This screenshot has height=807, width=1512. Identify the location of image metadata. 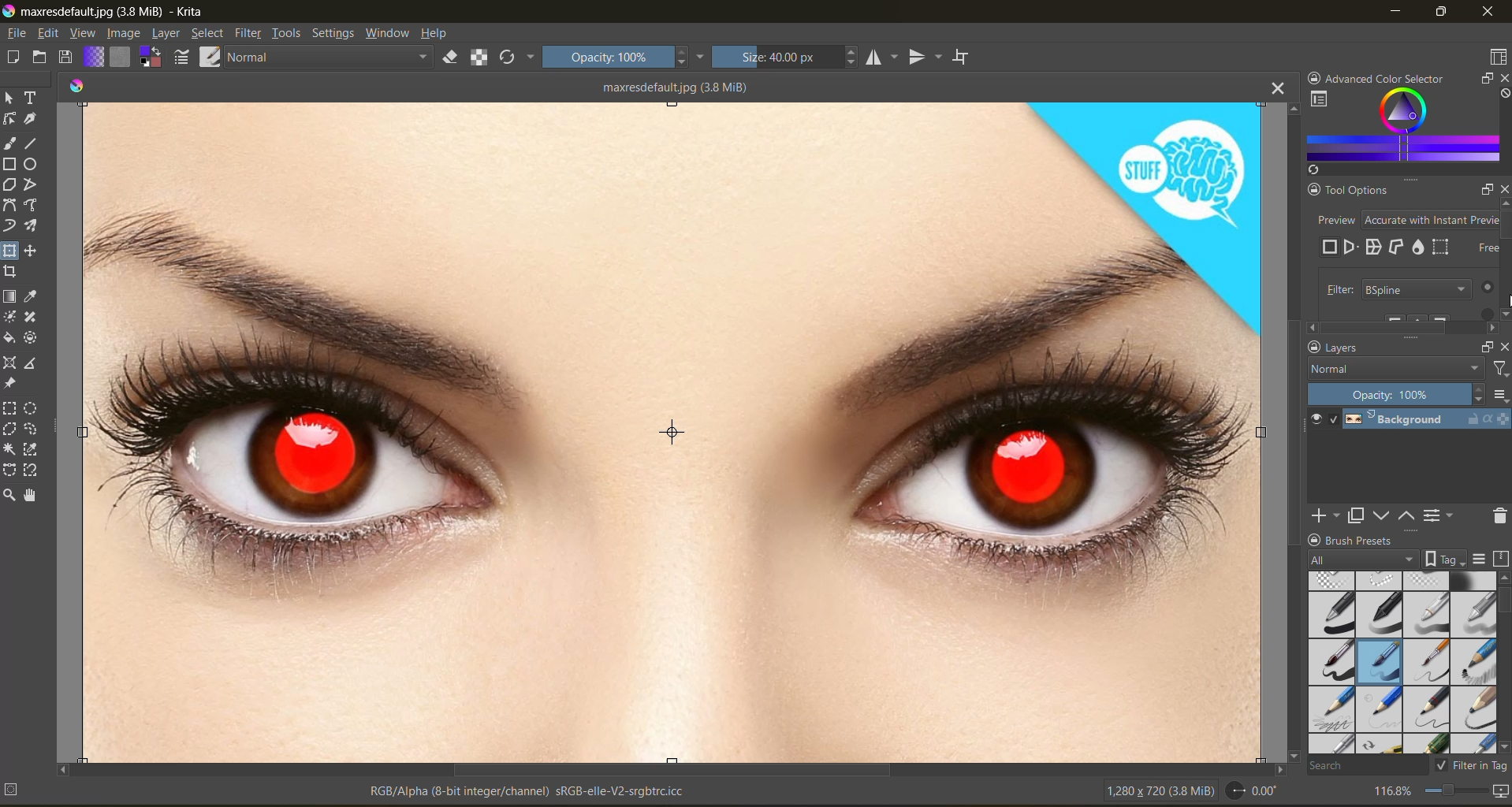
(1159, 794).